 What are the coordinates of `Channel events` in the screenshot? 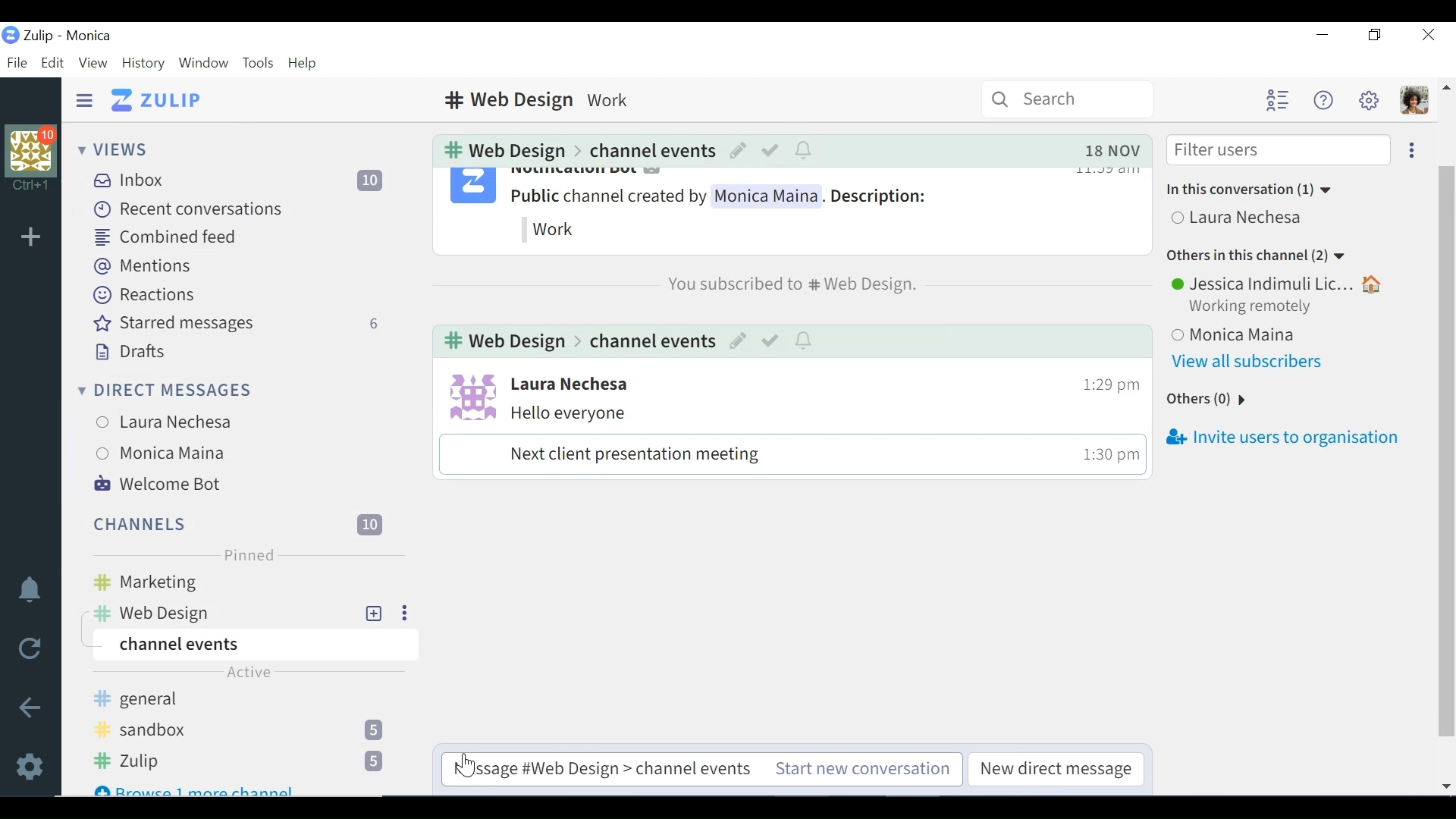 It's located at (252, 645).